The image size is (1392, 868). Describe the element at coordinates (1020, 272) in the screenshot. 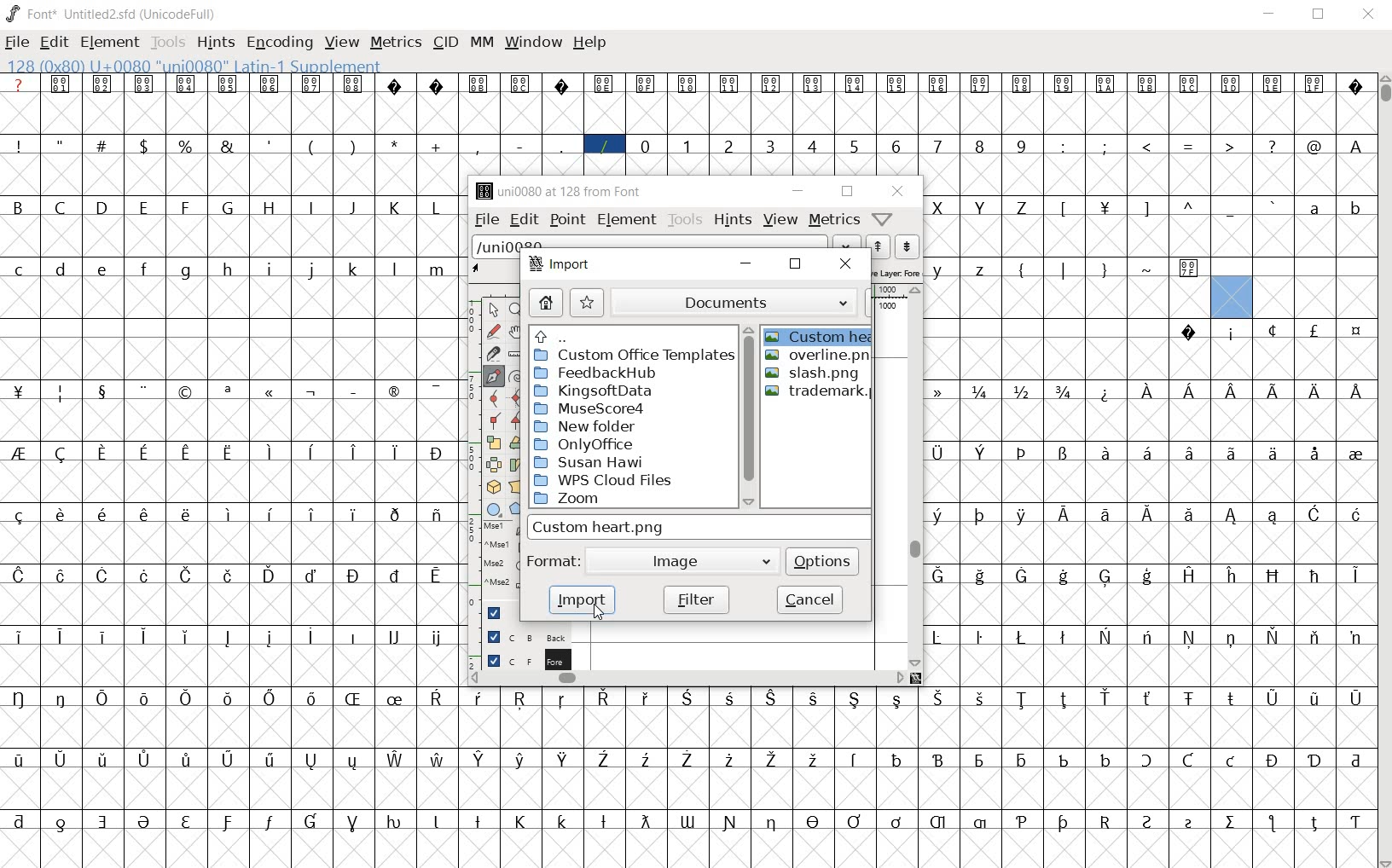

I see `glyph` at that location.